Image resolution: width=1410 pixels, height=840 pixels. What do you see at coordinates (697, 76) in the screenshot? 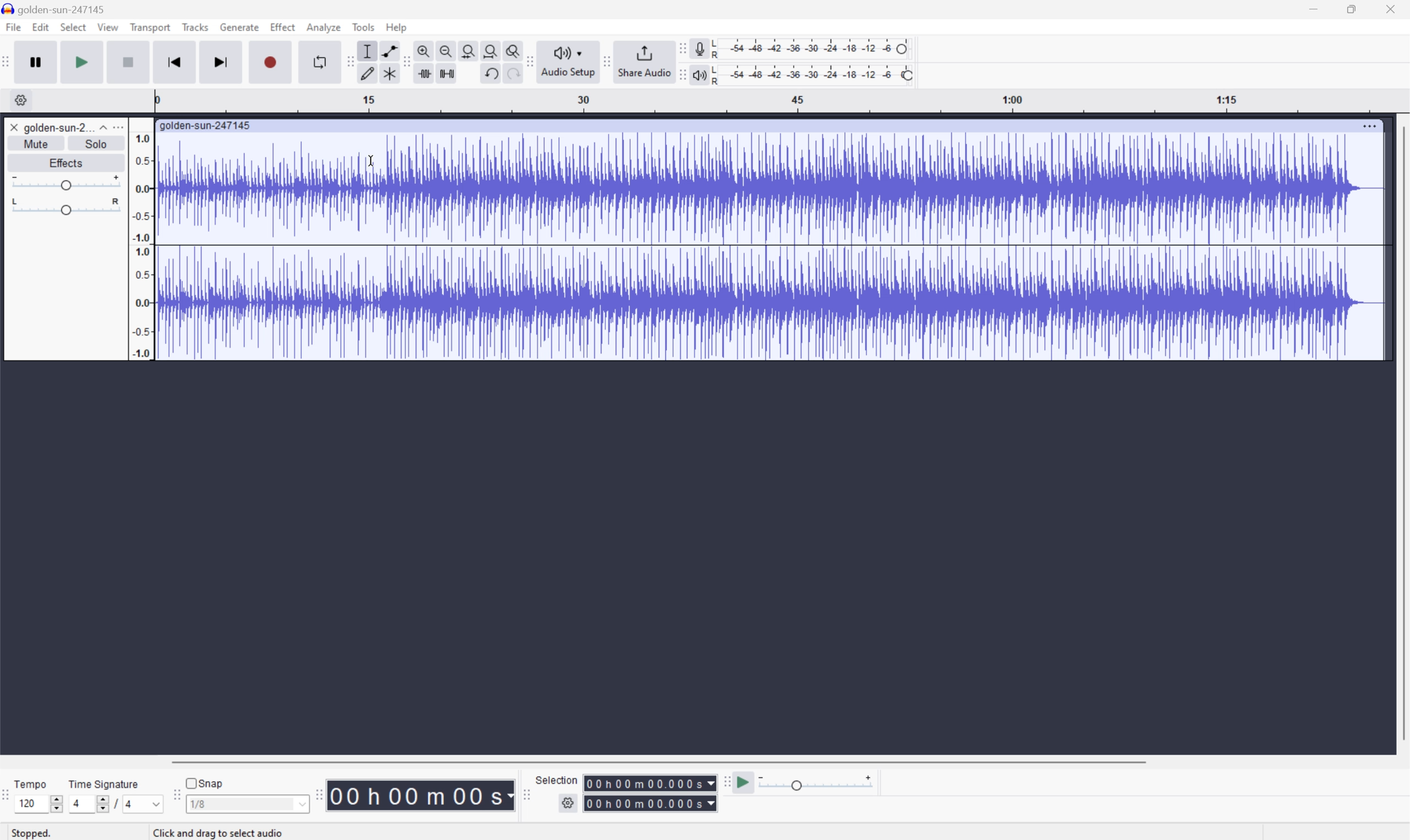
I see `Playback meter` at bounding box center [697, 76].